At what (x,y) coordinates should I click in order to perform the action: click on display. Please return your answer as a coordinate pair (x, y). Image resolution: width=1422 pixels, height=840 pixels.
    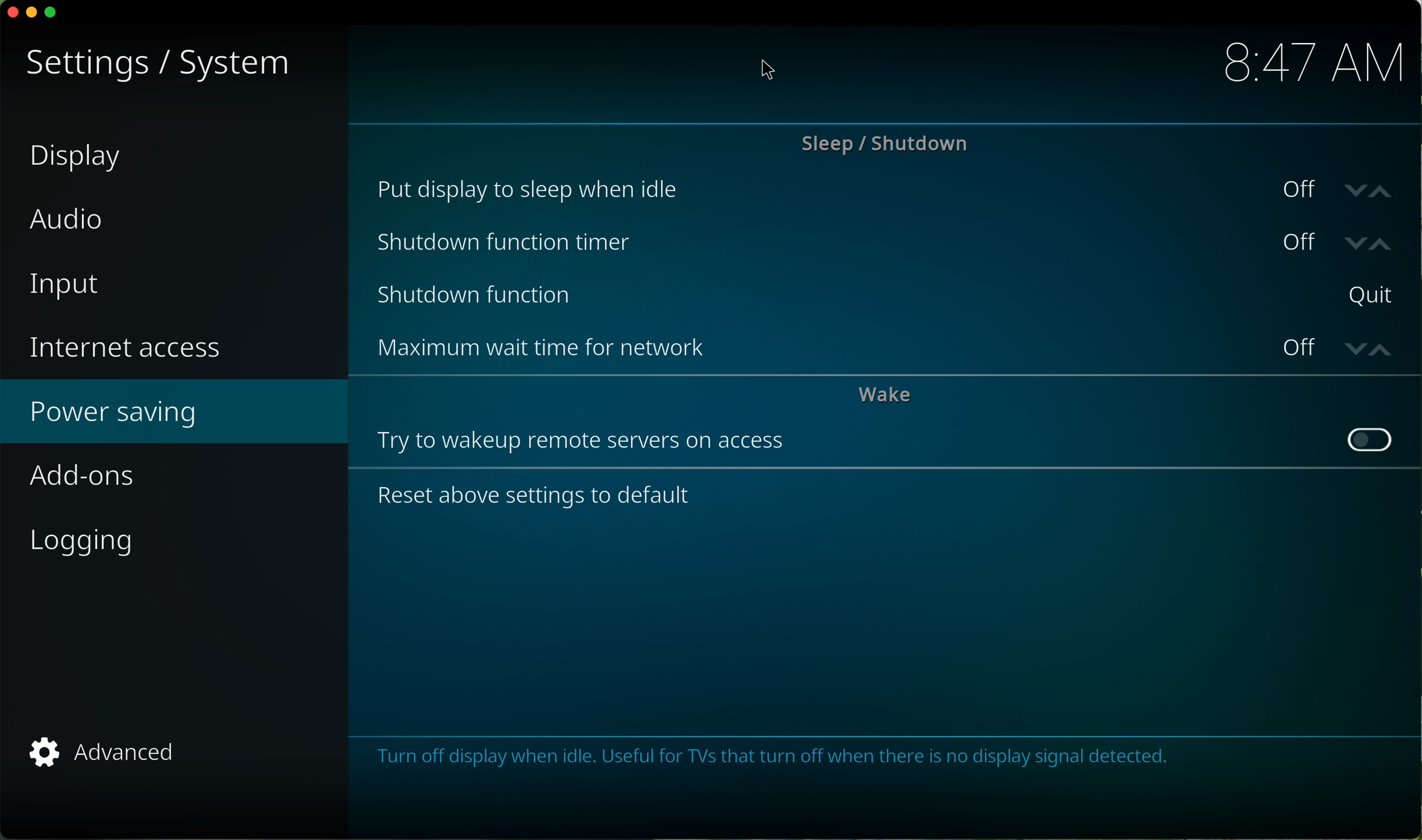
    Looking at the image, I should click on (75, 157).